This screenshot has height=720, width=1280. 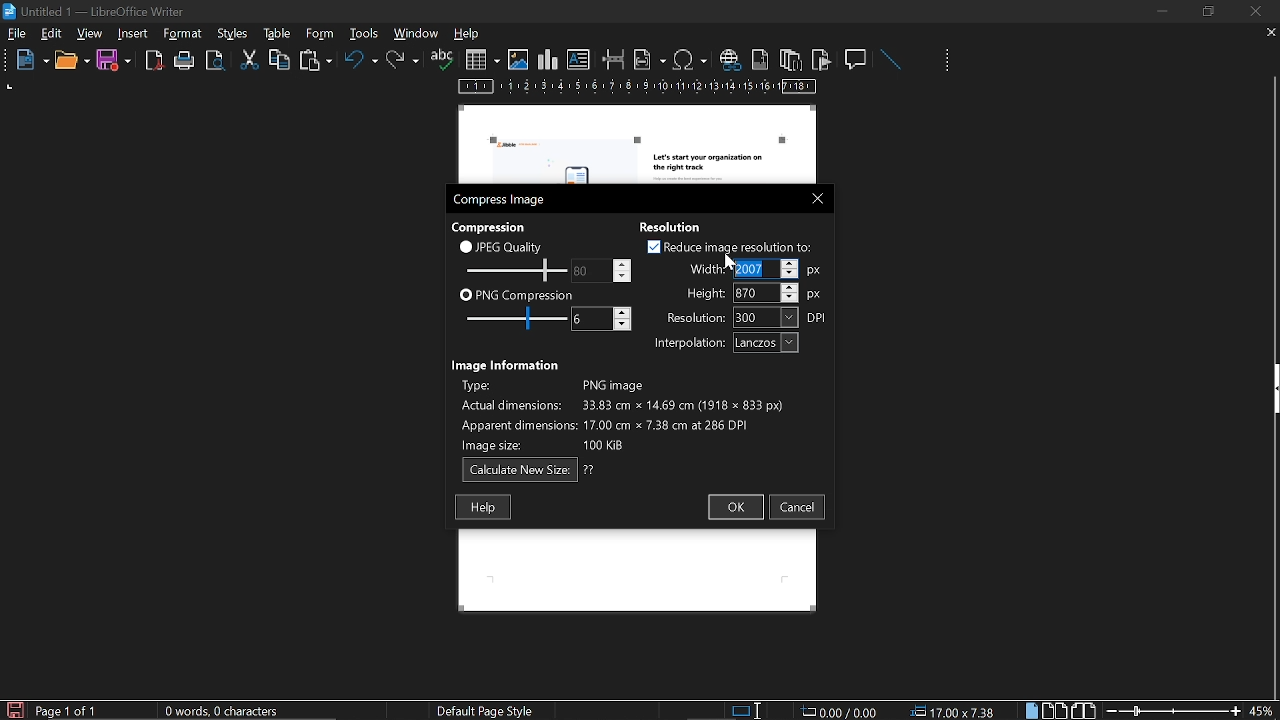 What do you see at coordinates (758, 59) in the screenshot?
I see `insert footnote` at bounding box center [758, 59].